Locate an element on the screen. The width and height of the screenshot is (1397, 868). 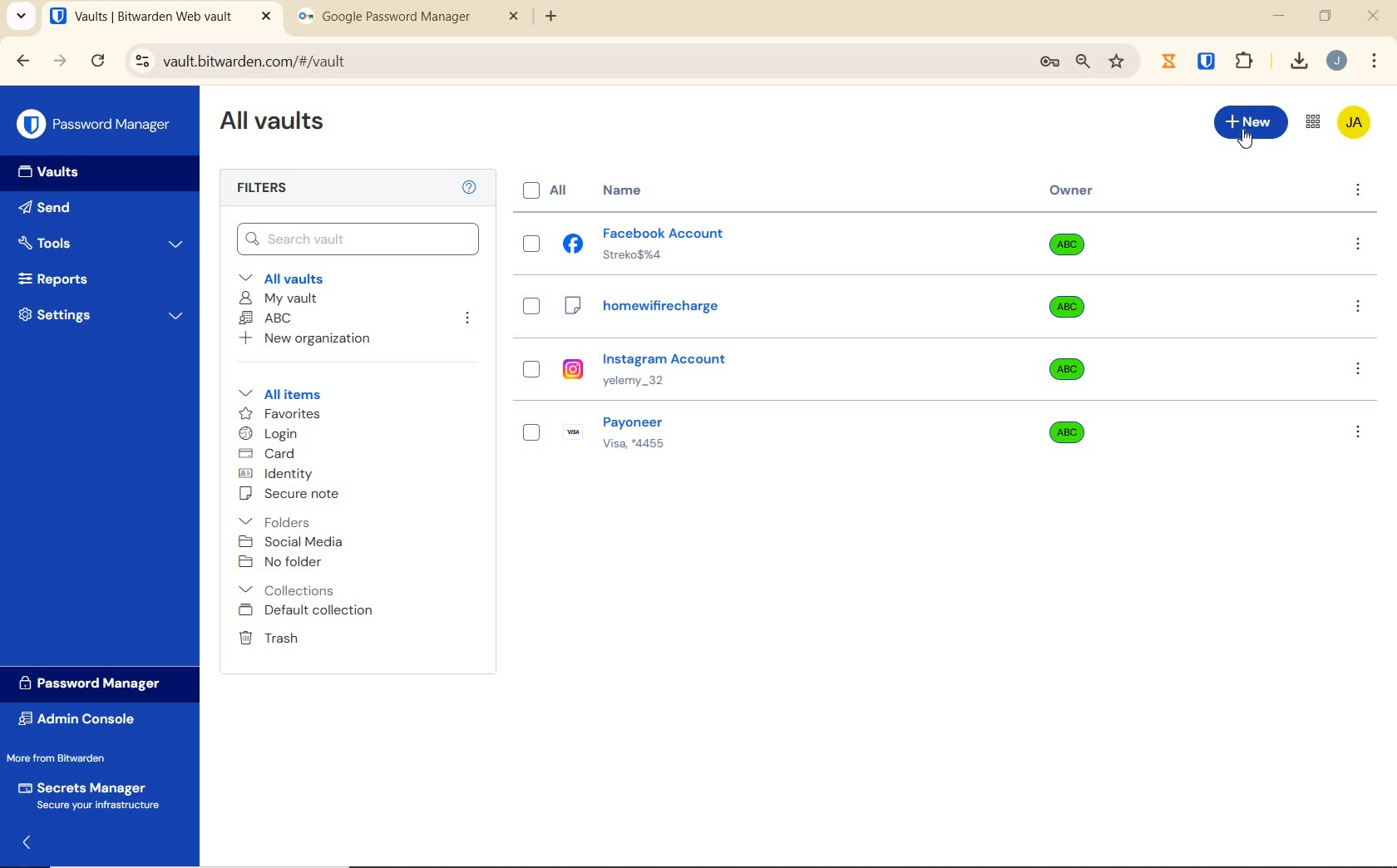
New is located at coordinates (1251, 120).